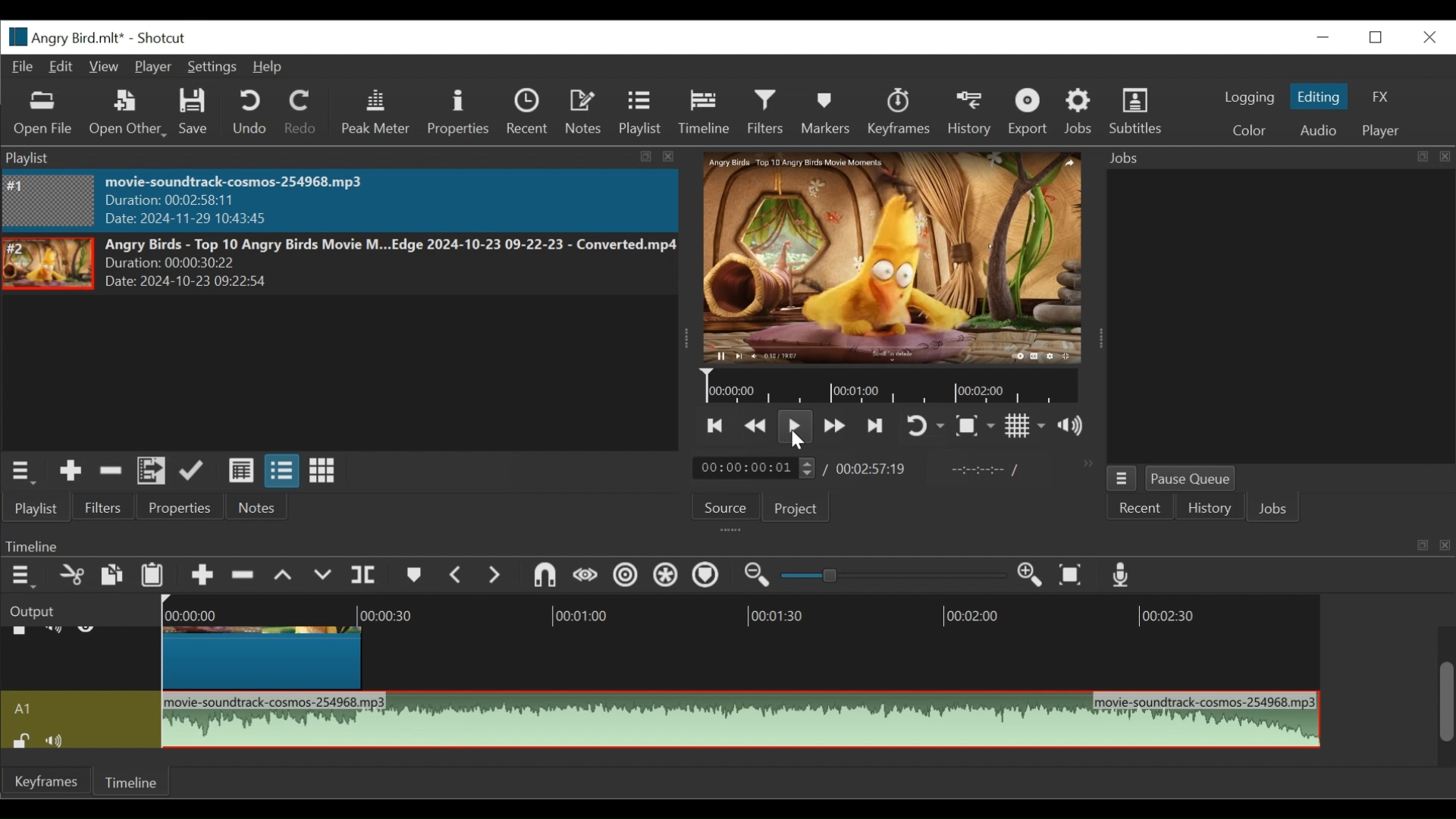 The width and height of the screenshot is (1456, 819). Describe the element at coordinates (115, 576) in the screenshot. I see `Copy` at that location.